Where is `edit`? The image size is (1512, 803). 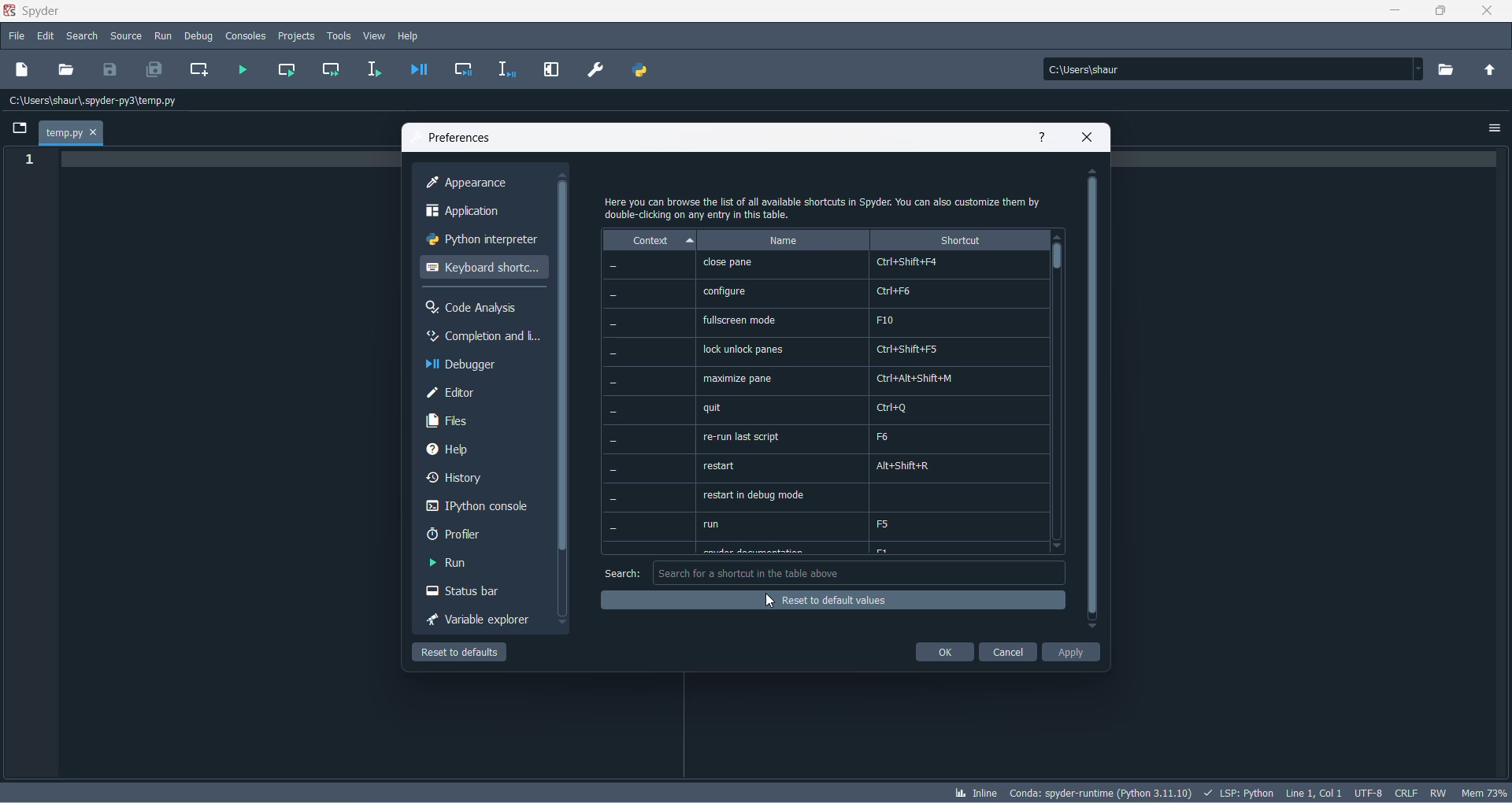 edit is located at coordinates (46, 35).